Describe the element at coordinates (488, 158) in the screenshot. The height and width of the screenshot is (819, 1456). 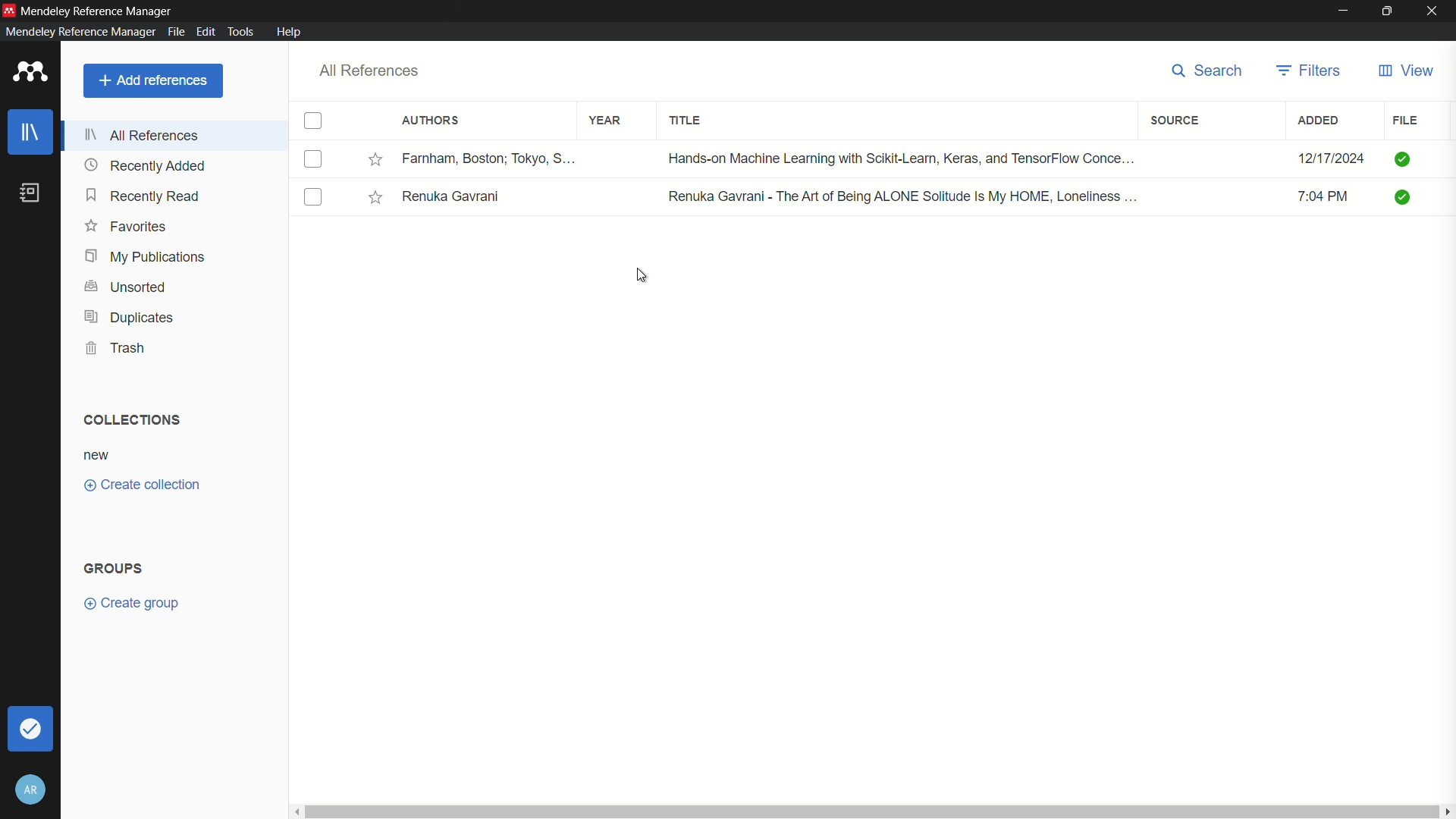
I see `Famham` at that location.